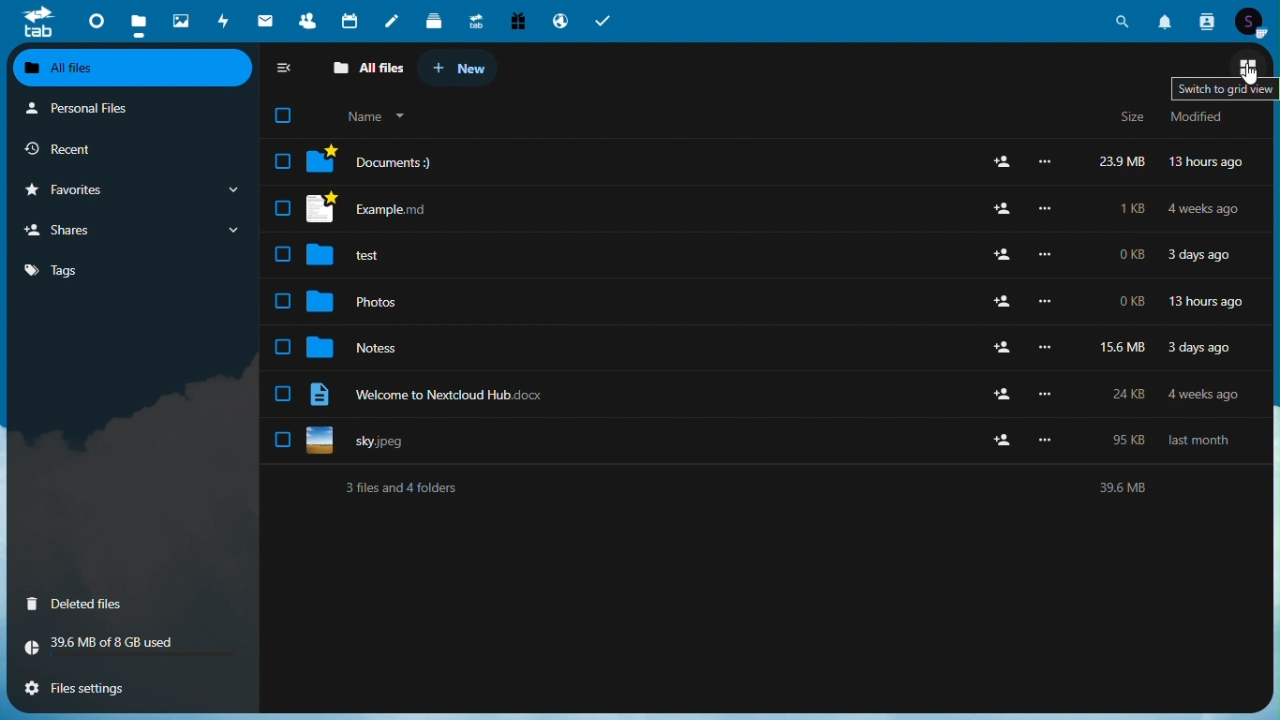 The image size is (1280, 720). Describe the element at coordinates (1049, 347) in the screenshot. I see `more options` at that location.